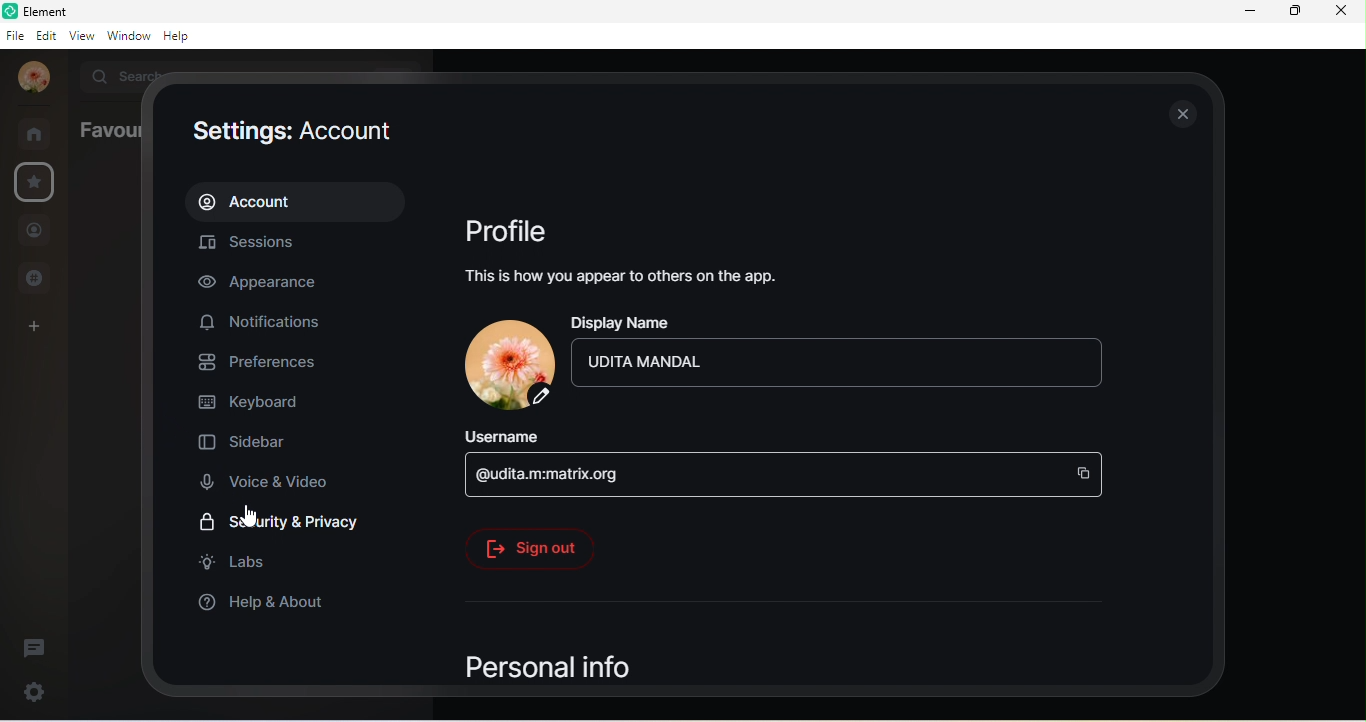 Image resolution: width=1366 pixels, height=722 pixels. Describe the element at coordinates (782, 475) in the screenshot. I see `@udita.m.matrix.org` at that location.